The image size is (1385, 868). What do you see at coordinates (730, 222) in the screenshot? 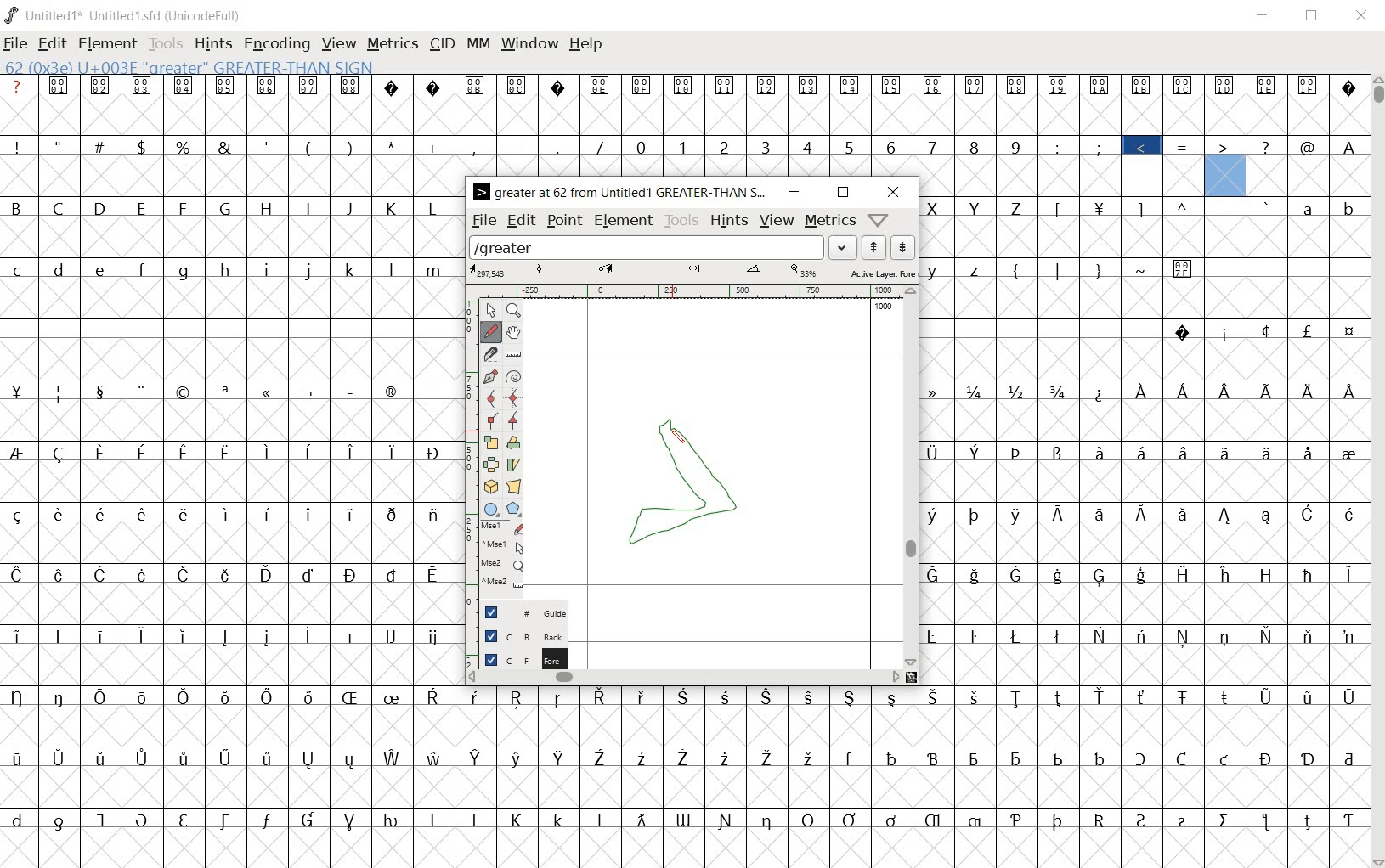
I see `hints` at bounding box center [730, 222].